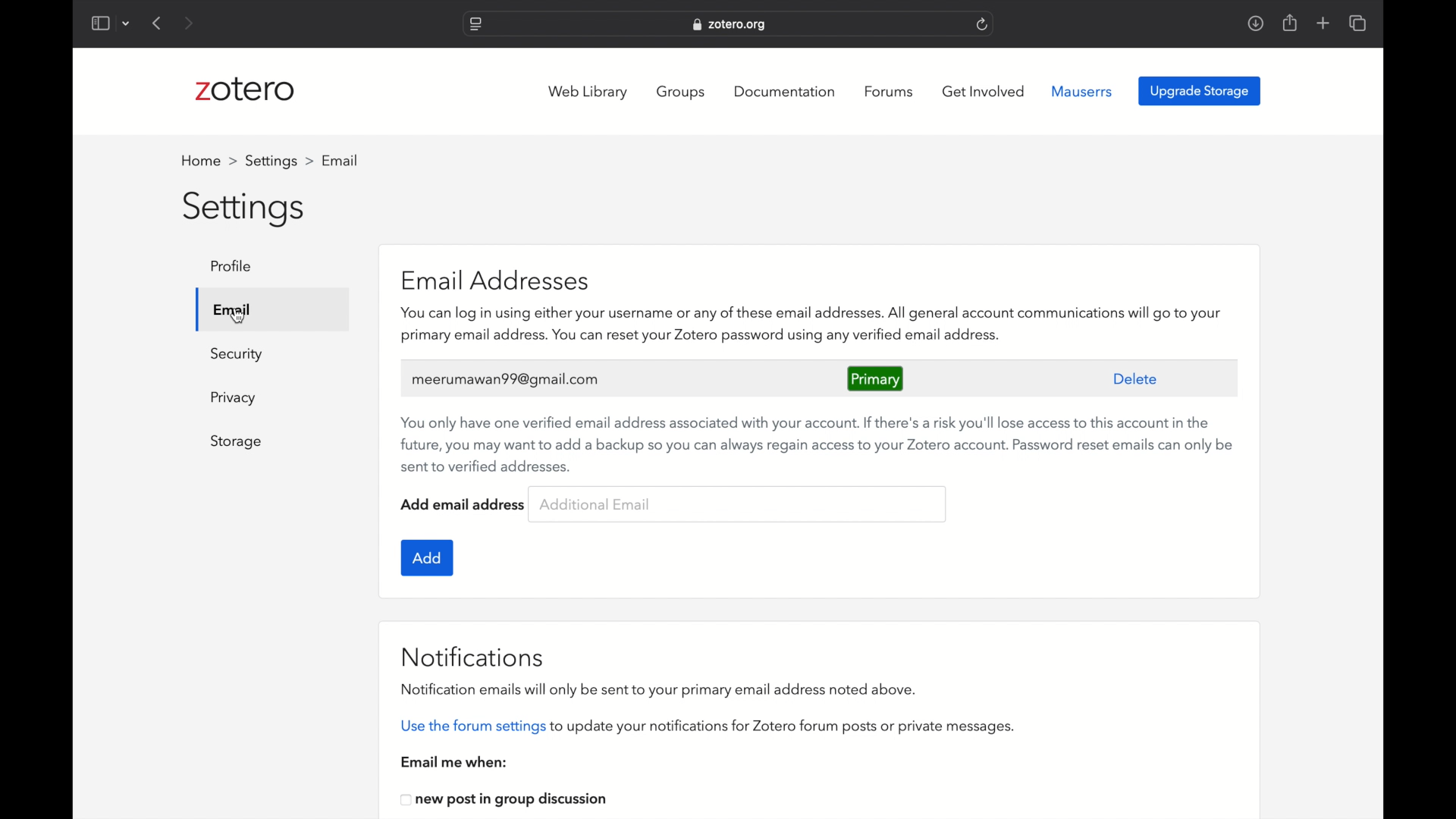  Describe the element at coordinates (463, 504) in the screenshot. I see `add email address` at that location.